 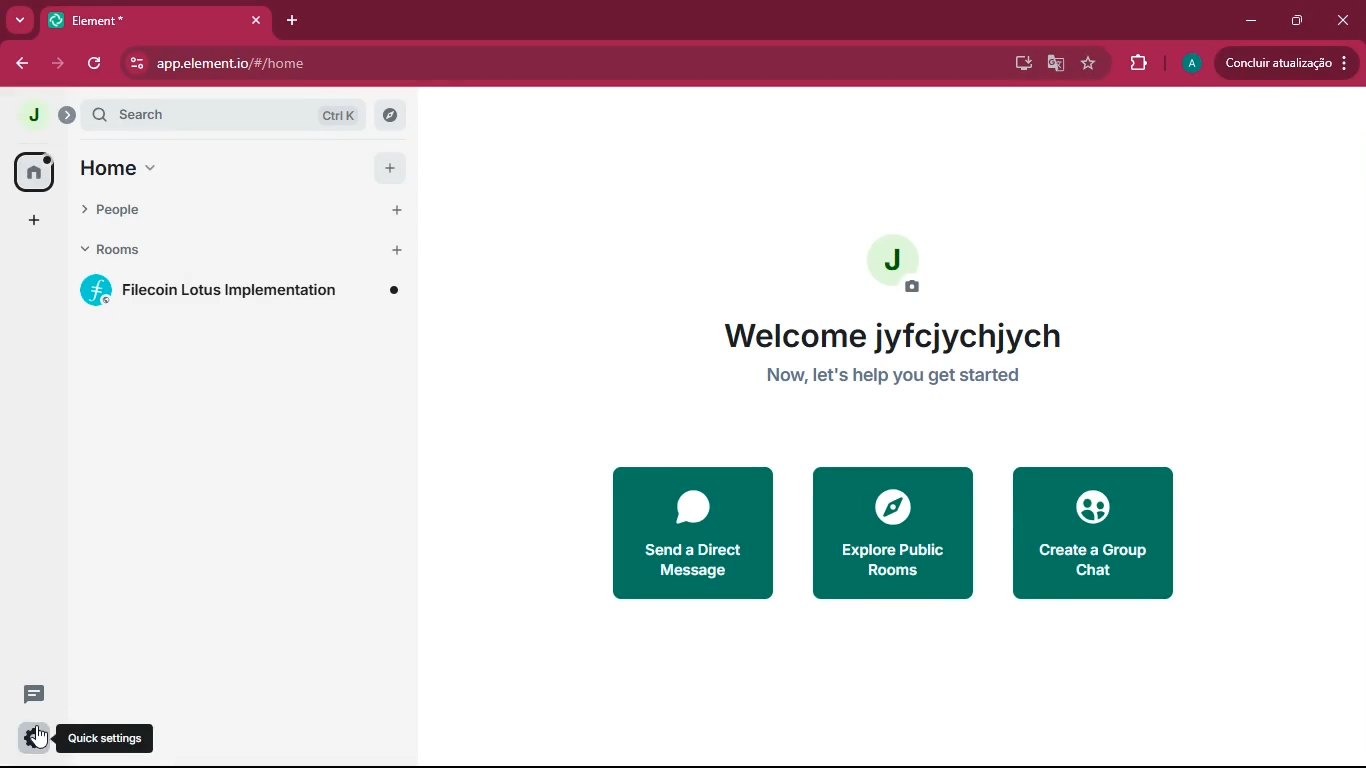 What do you see at coordinates (893, 335) in the screenshot?
I see `Welcome jyfcjychjych` at bounding box center [893, 335].